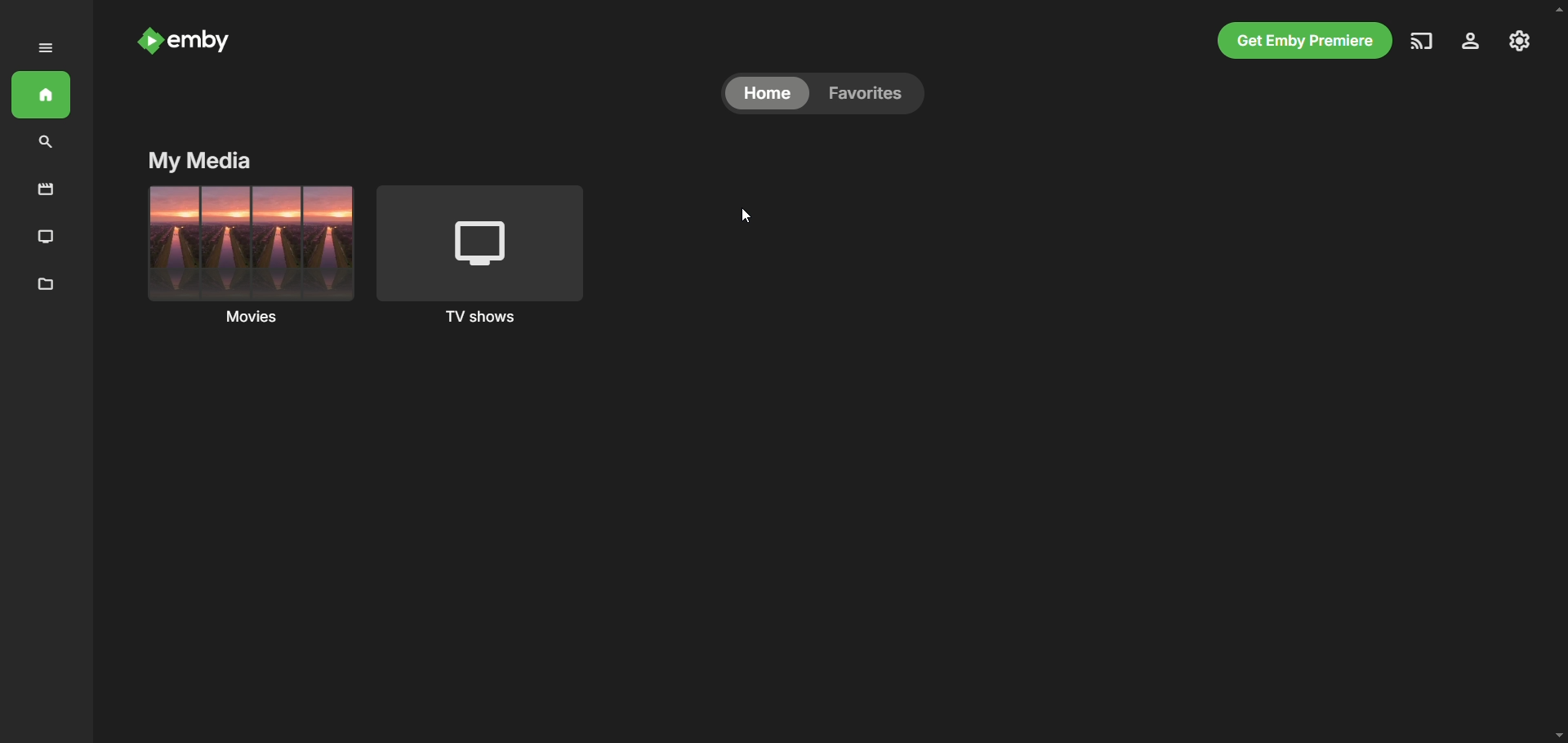 The height and width of the screenshot is (743, 1568). I want to click on TV shows, so click(47, 236).